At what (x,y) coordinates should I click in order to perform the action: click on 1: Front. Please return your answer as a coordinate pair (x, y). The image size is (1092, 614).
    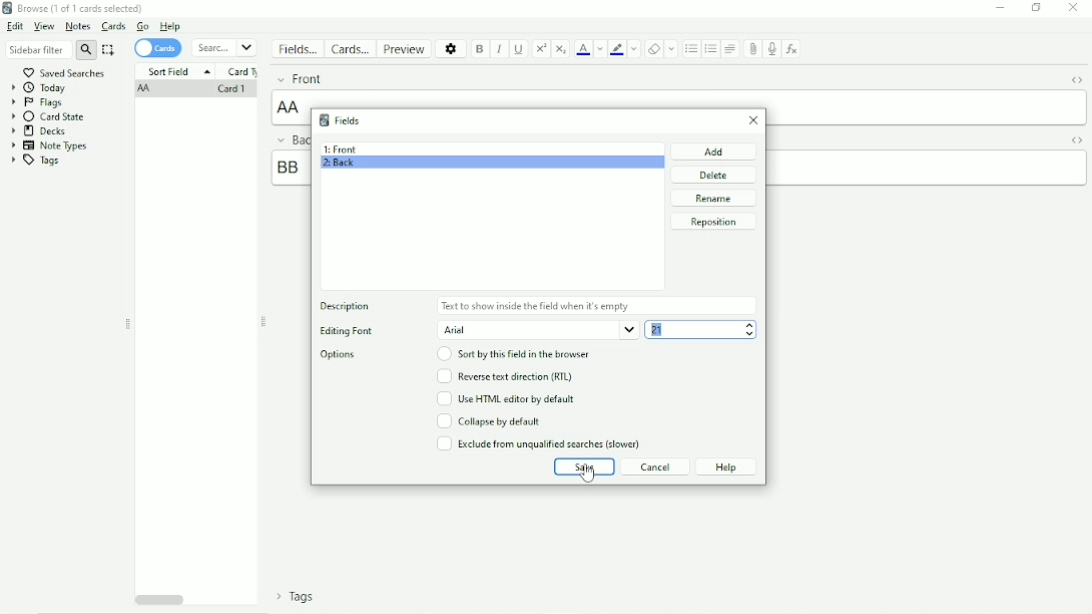
    Looking at the image, I should click on (340, 149).